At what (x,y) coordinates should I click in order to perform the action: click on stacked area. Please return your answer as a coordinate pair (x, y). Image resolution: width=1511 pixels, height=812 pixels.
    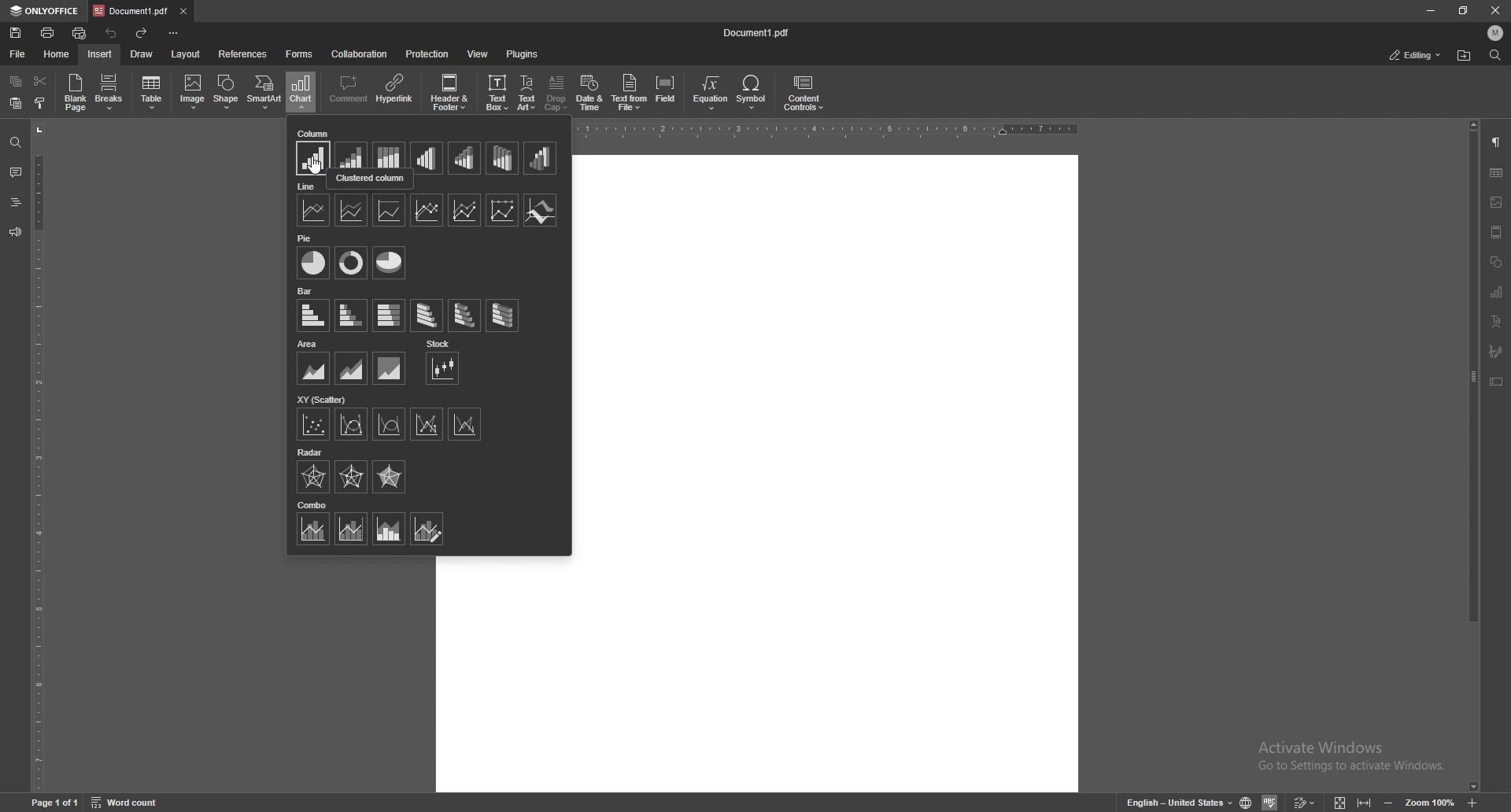
    Looking at the image, I should click on (352, 367).